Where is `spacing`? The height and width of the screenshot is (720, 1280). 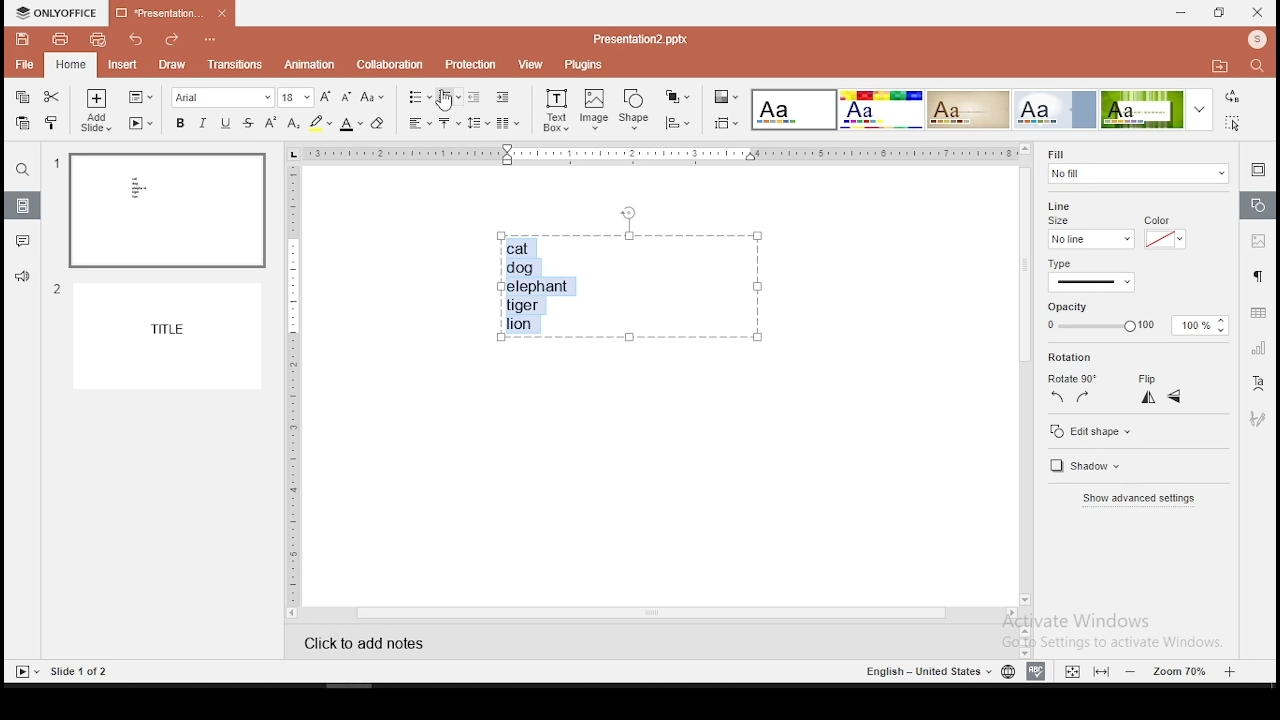 spacing is located at coordinates (478, 123).